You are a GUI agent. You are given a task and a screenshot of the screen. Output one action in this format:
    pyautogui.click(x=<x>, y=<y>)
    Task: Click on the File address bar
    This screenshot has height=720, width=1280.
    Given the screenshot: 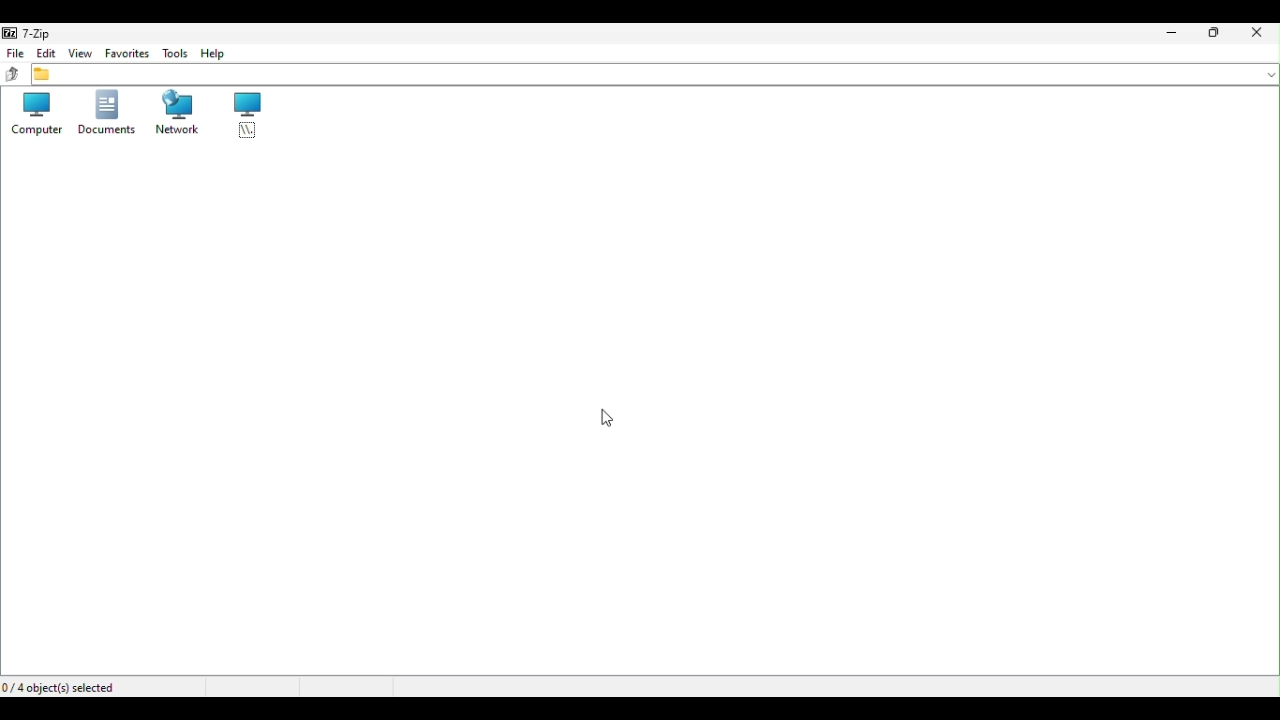 What is the action you would take?
    pyautogui.click(x=655, y=76)
    